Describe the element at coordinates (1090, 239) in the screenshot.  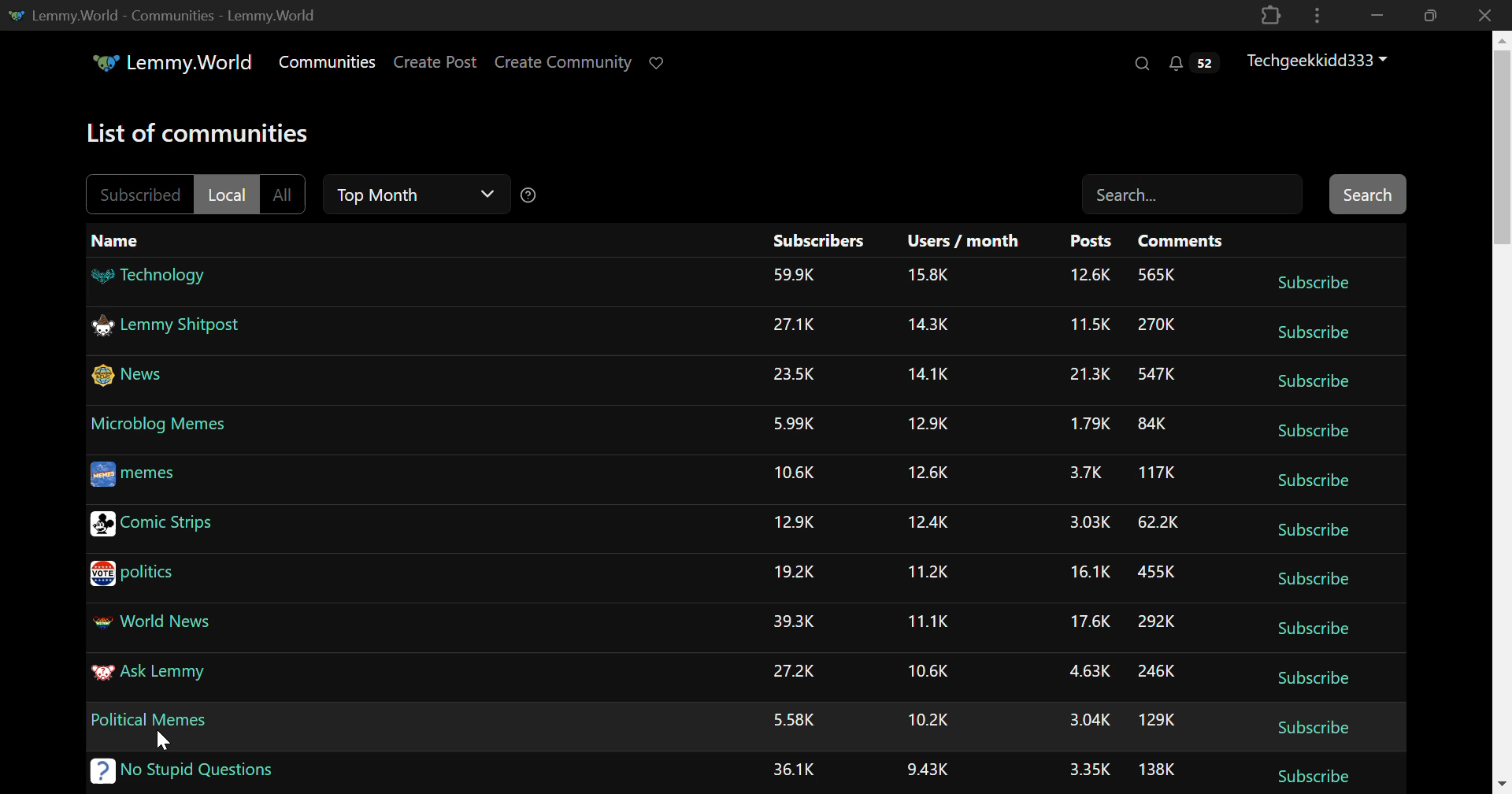
I see `Post Column Heading` at that location.